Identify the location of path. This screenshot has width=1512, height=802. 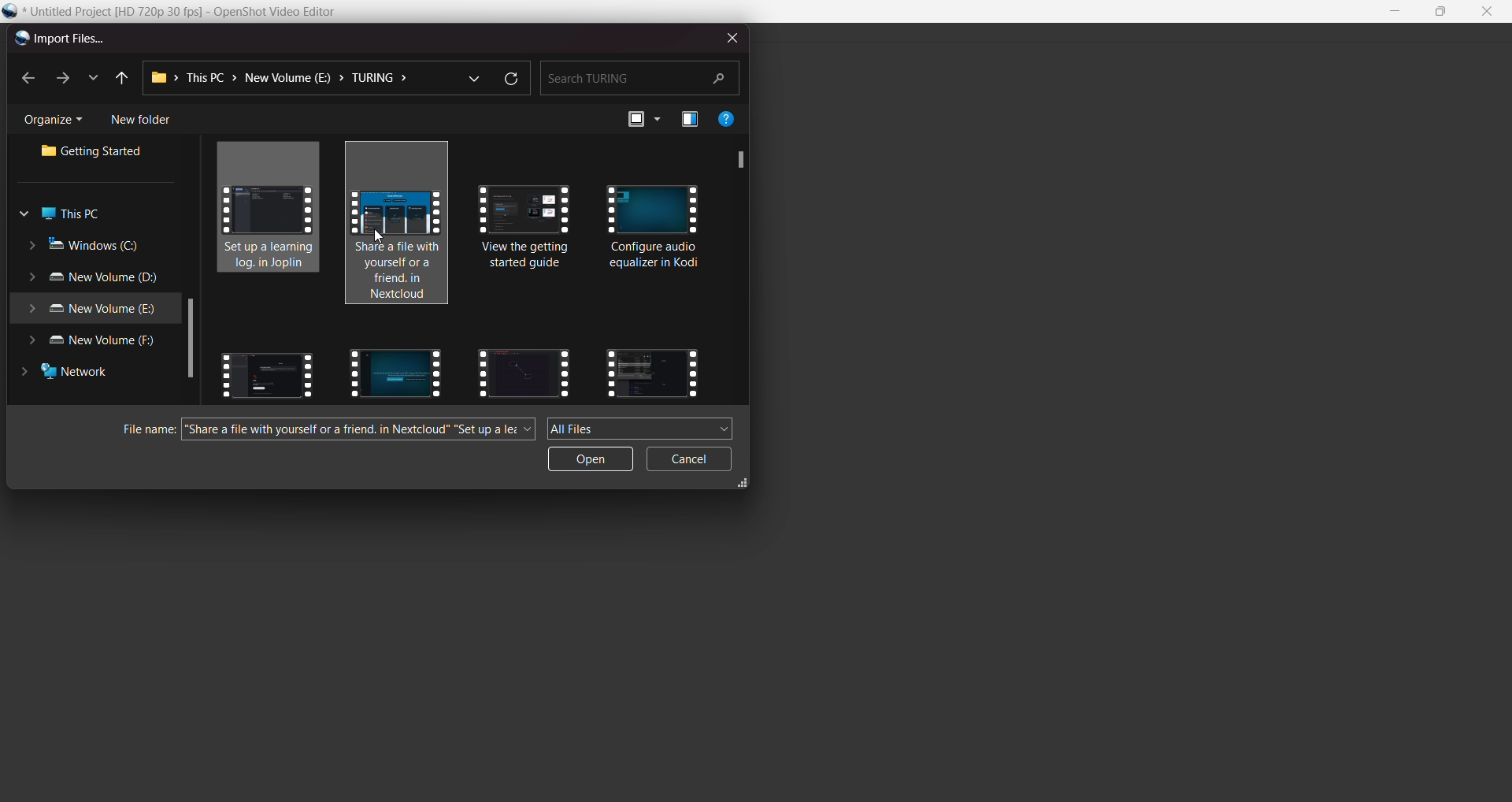
(285, 78).